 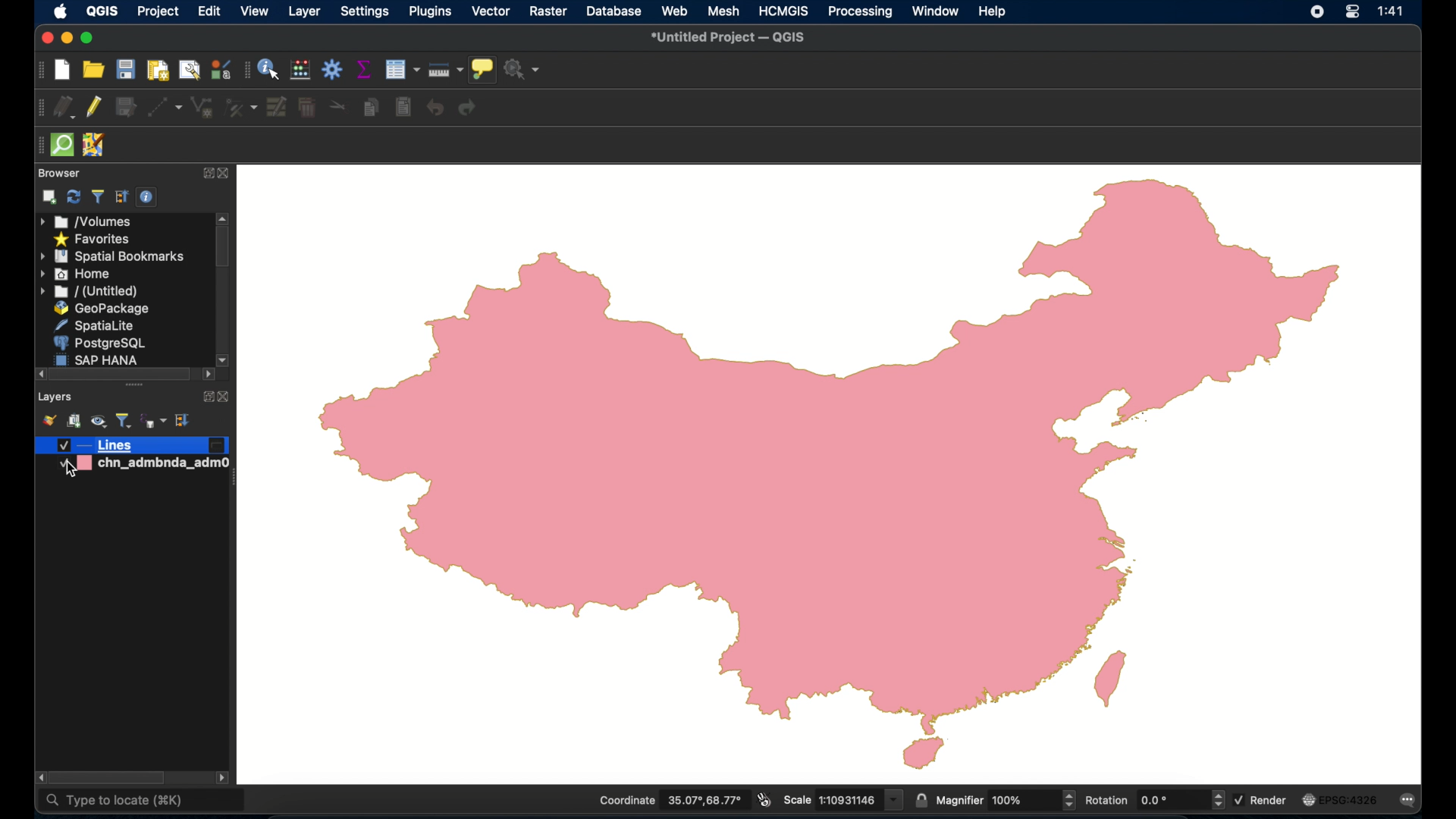 I want to click on copy features, so click(x=371, y=105).